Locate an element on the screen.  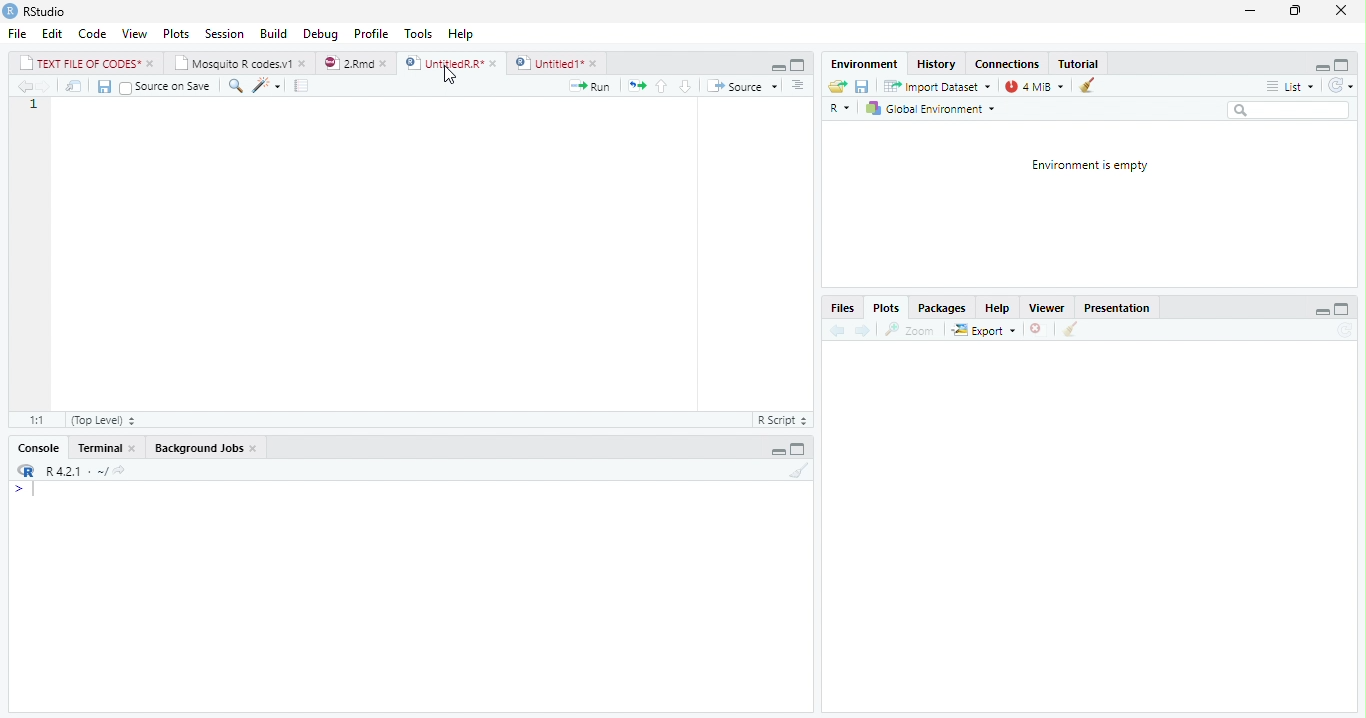
hide r script is located at coordinates (1322, 311).